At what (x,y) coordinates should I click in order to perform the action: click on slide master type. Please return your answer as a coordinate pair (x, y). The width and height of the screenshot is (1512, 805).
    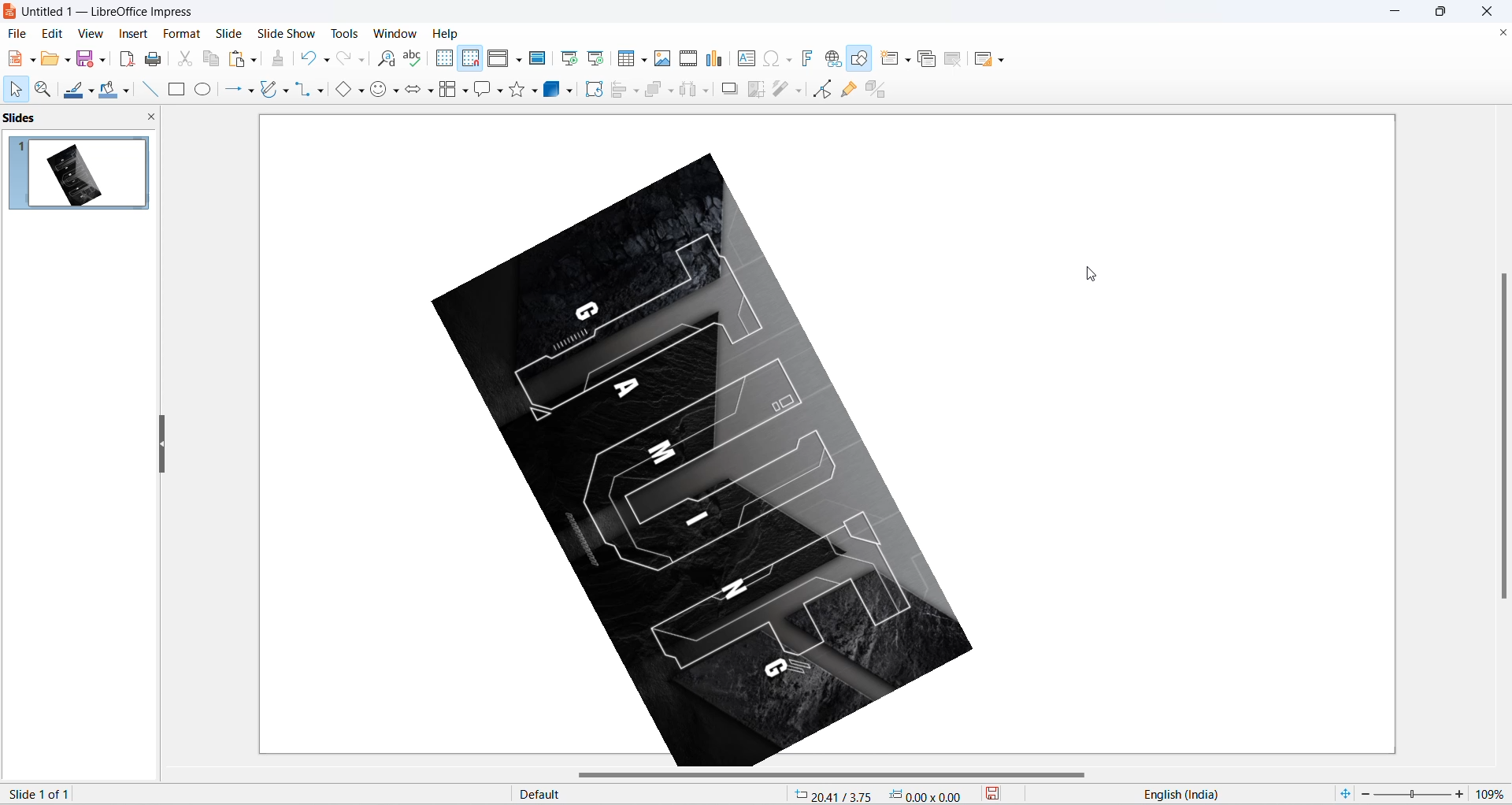
    Looking at the image, I should click on (651, 795).